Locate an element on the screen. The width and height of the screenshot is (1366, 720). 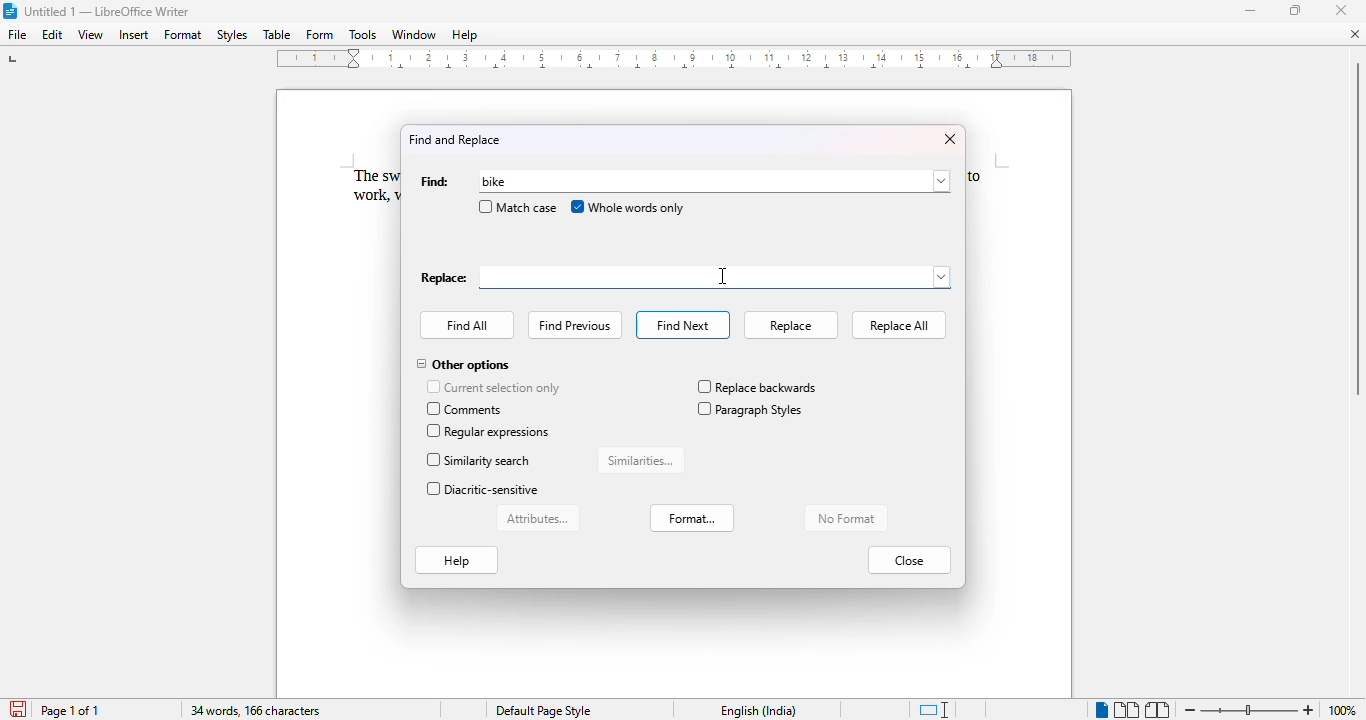
format is located at coordinates (184, 34).